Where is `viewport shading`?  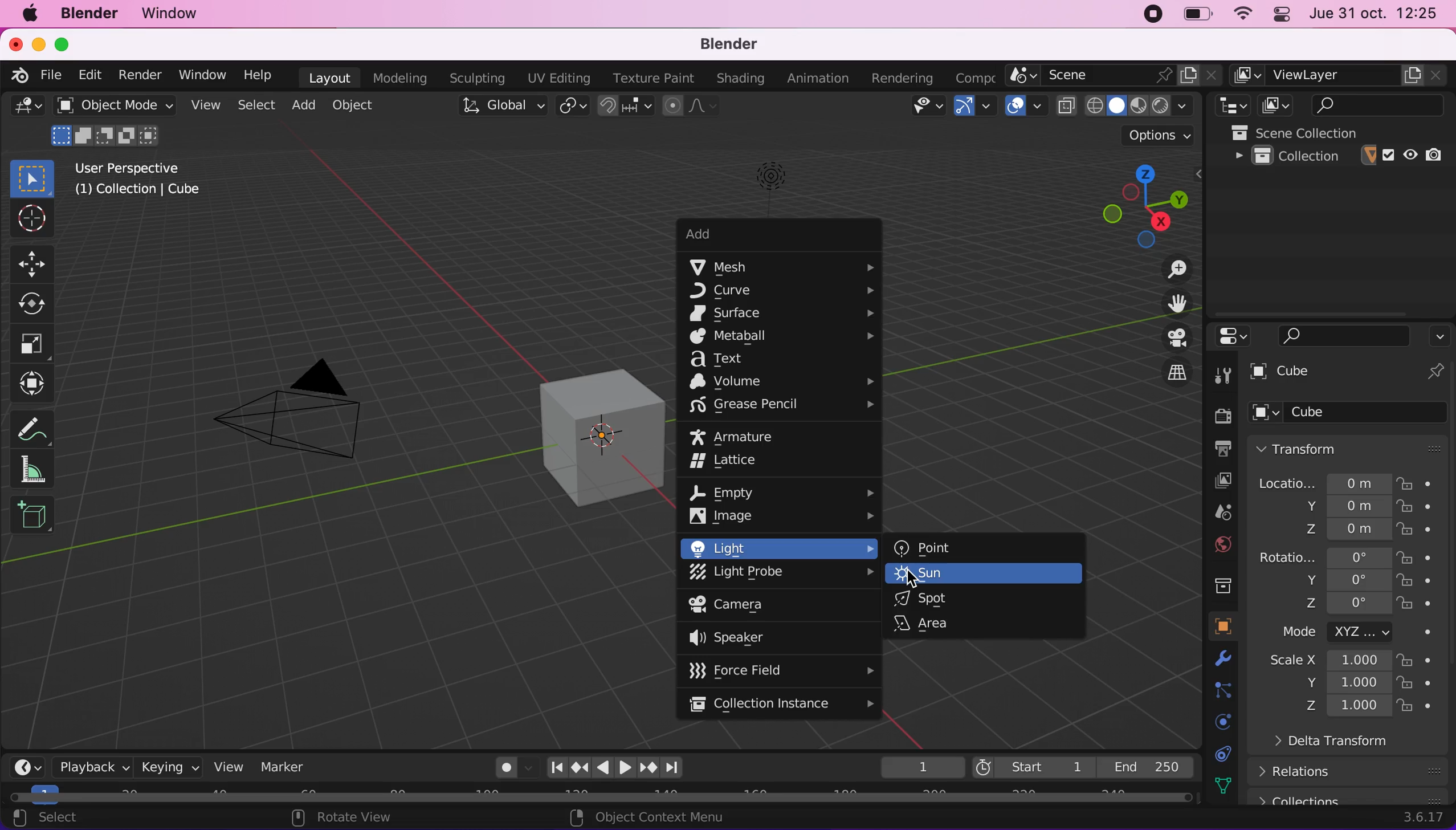
viewport shading is located at coordinates (1144, 105).